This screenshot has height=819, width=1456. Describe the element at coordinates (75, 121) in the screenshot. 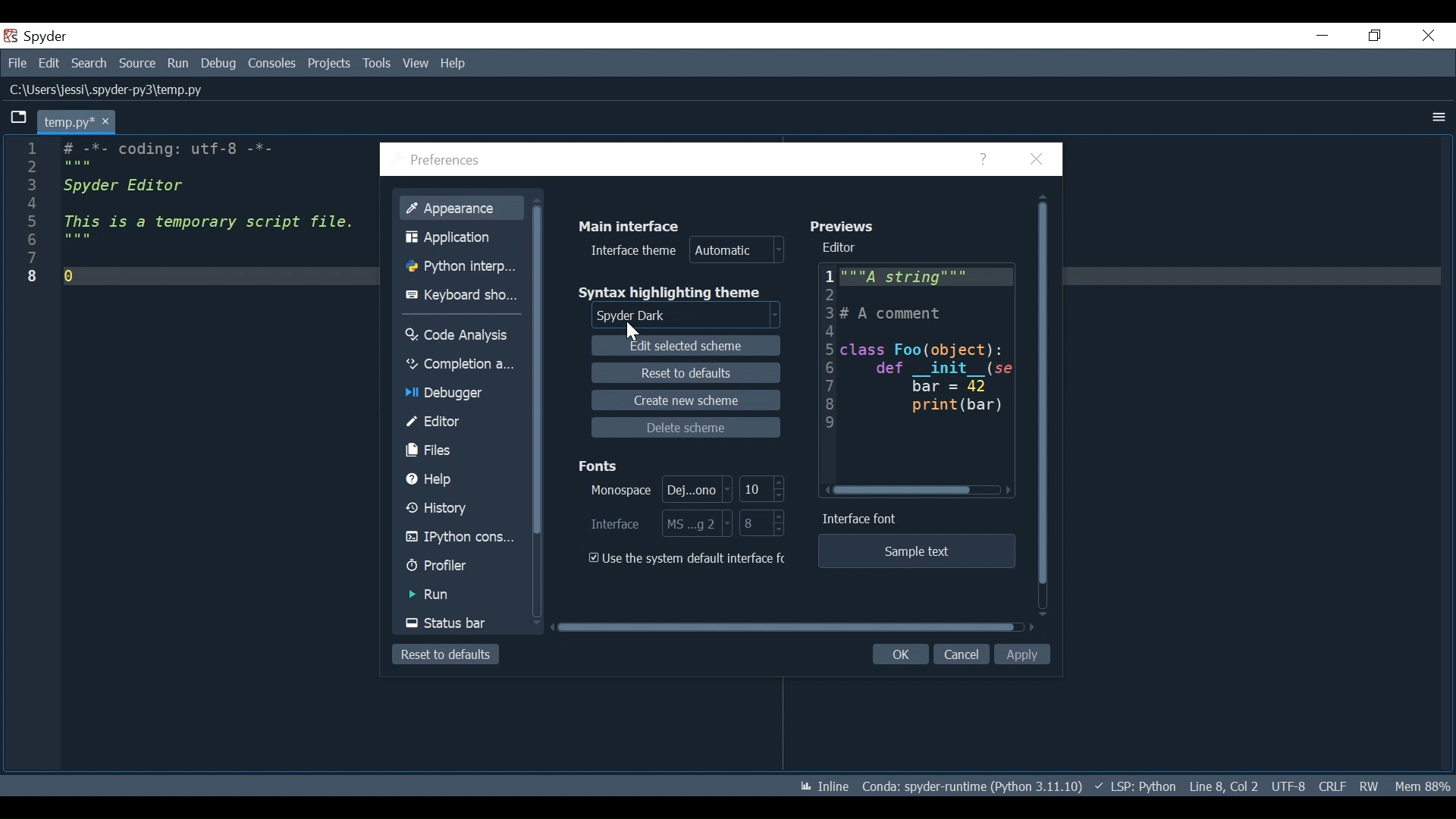

I see `Current tab` at that location.